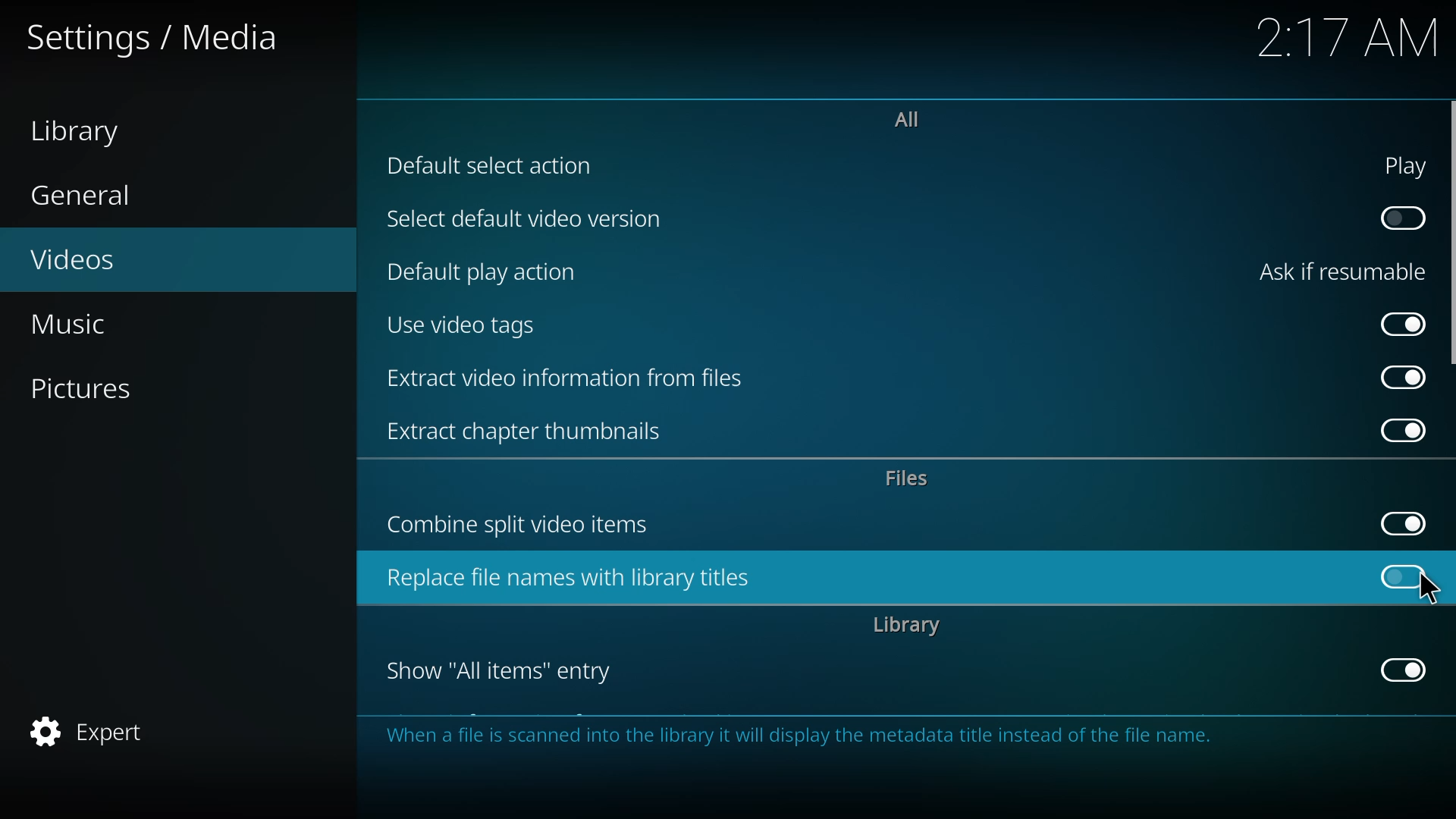  What do you see at coordinates (1398, 165) in the screenshot?
I see `play` at bounding box center [1398, 165].